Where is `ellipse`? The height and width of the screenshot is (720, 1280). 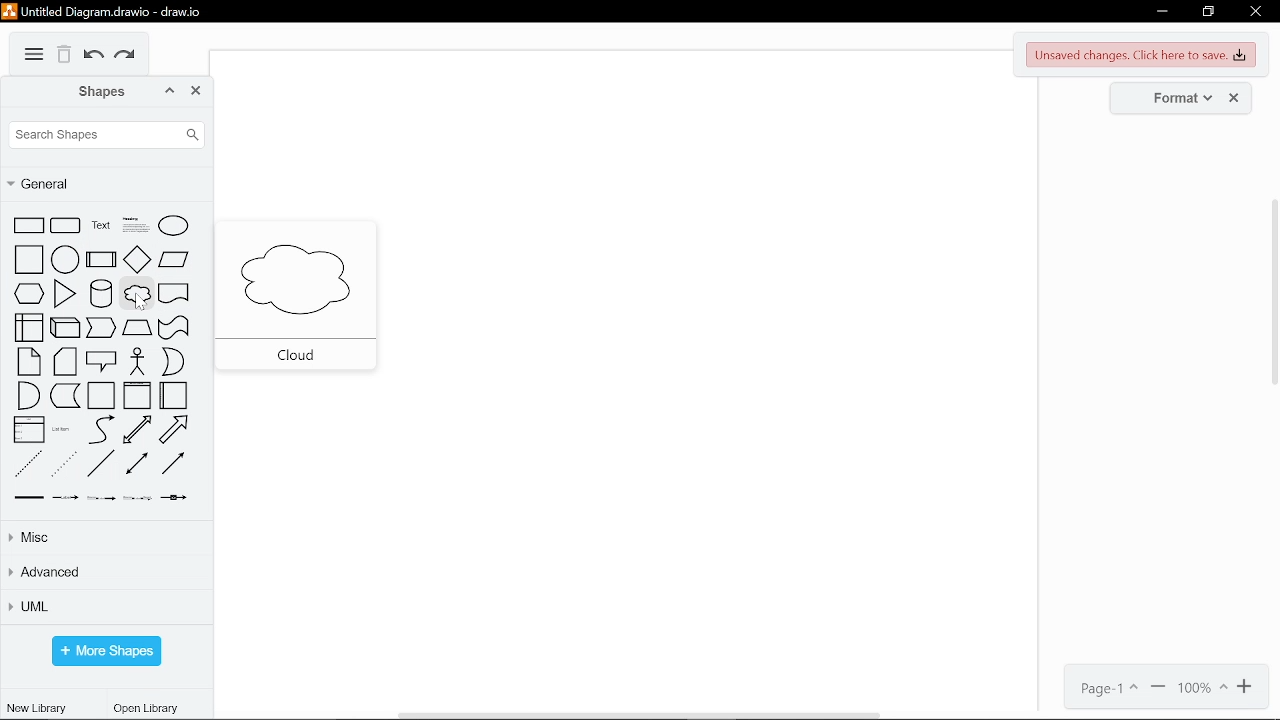
ellipse is located at coordinates (175, 226).